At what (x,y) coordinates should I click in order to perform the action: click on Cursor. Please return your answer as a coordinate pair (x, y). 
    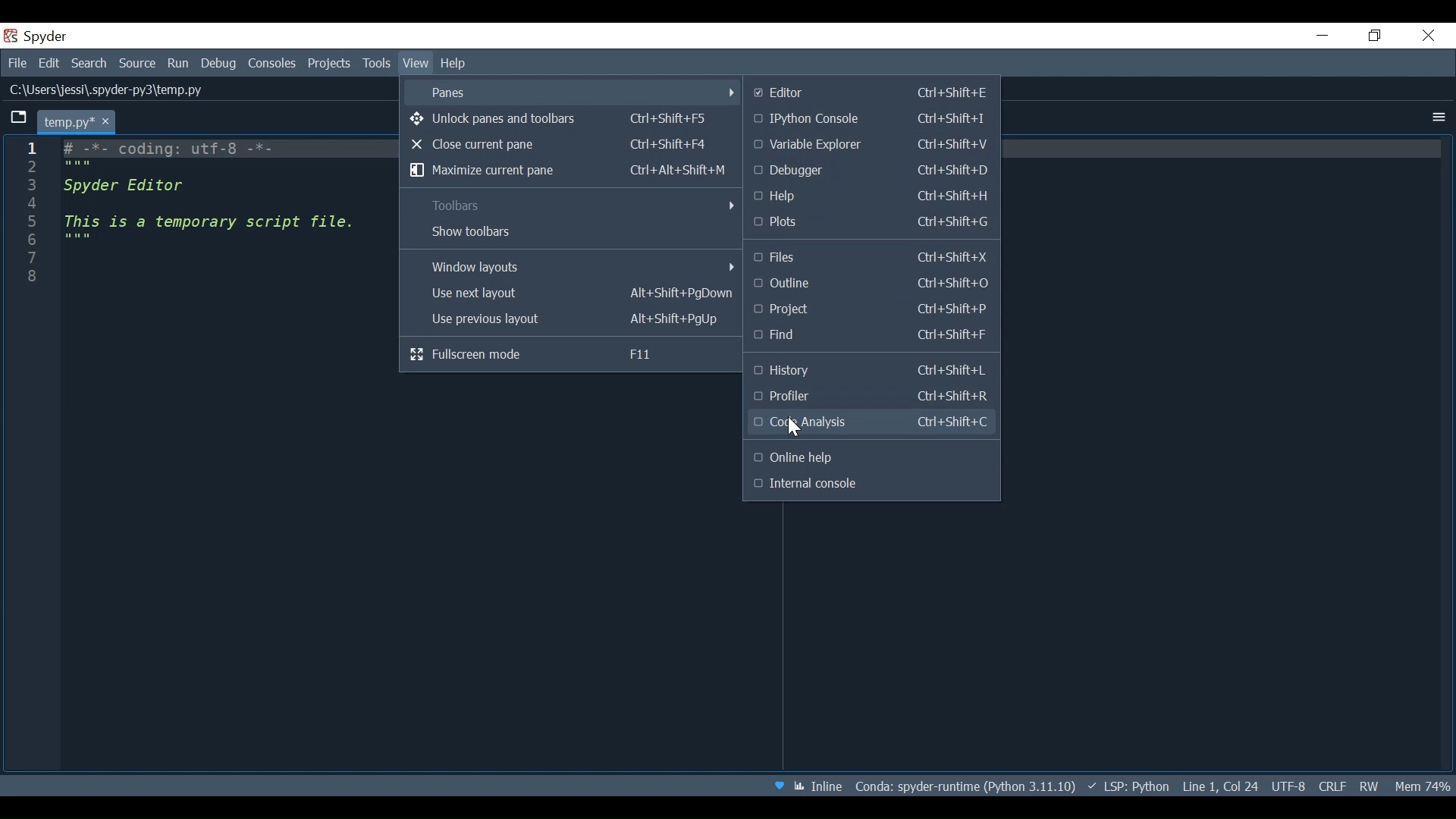
    Looking at the image, I should click on (797, 428).